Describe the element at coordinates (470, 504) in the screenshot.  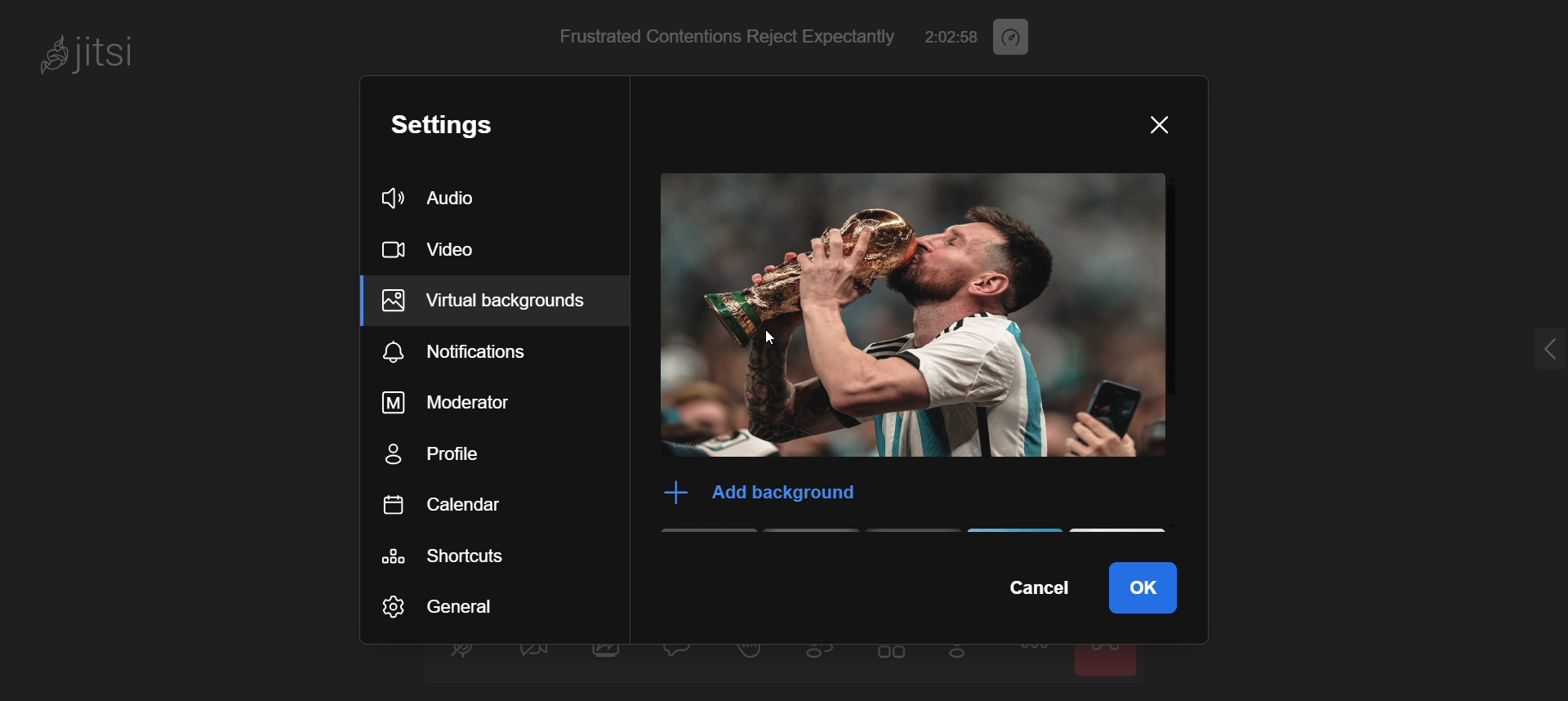
I see `calendar` at that location.